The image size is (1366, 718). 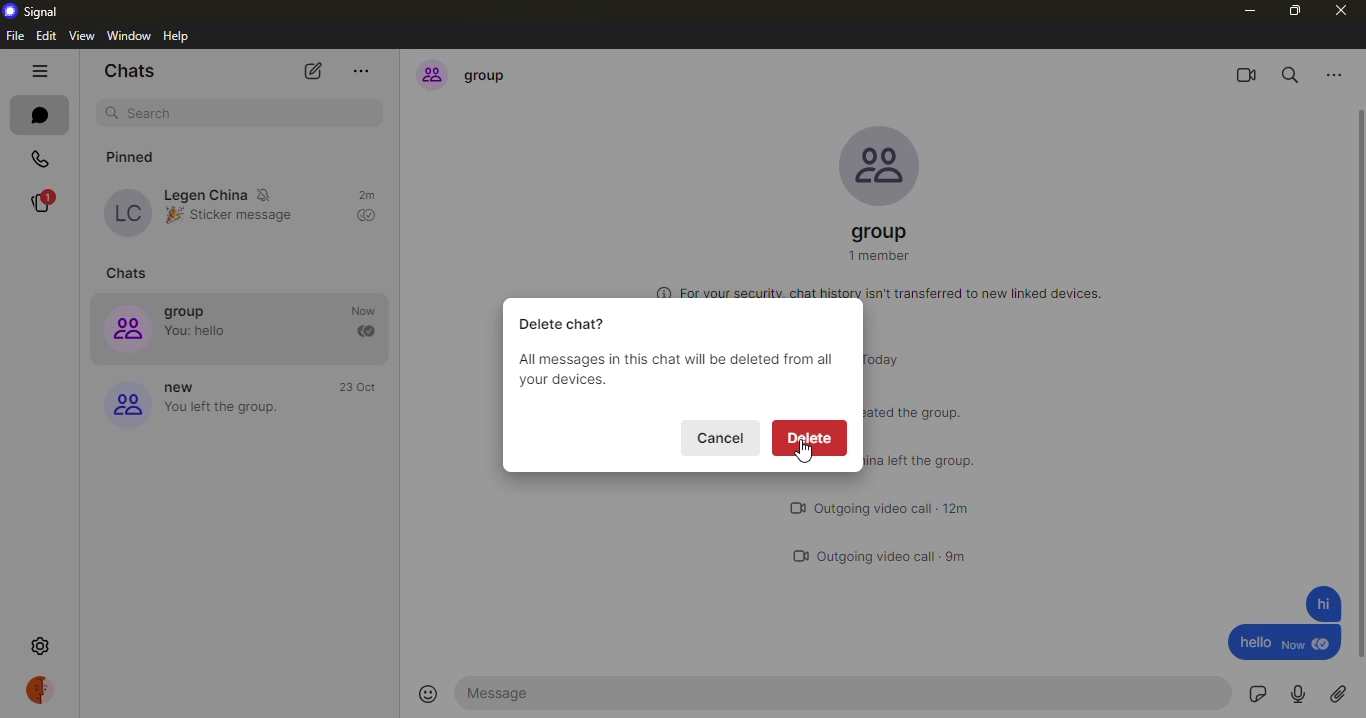 I want to click on calls, so click(x=38, y=157).